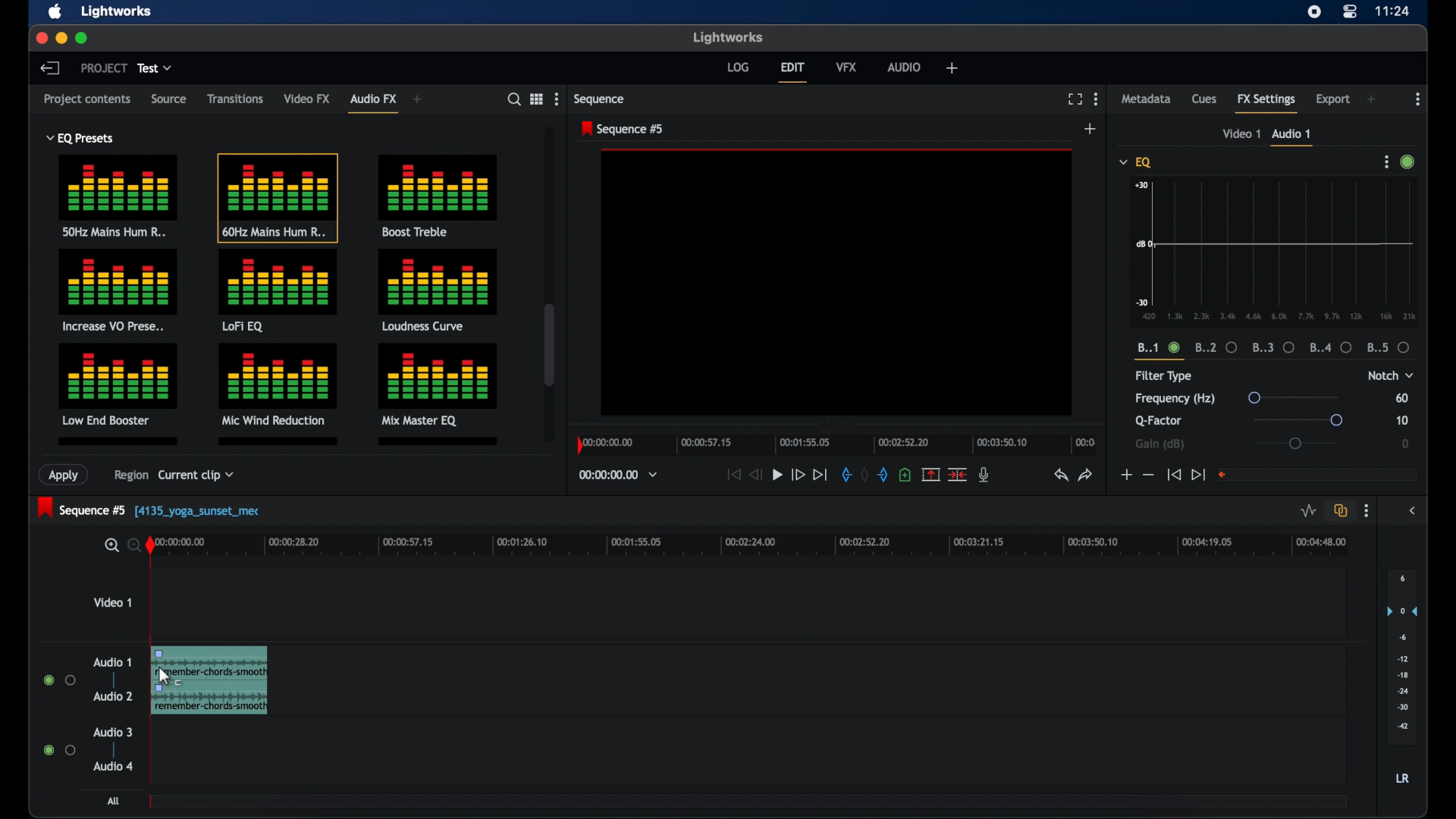 The height and width of the screenshot is (819, 1456). I want to click on audio 1, so click(1292, 137).